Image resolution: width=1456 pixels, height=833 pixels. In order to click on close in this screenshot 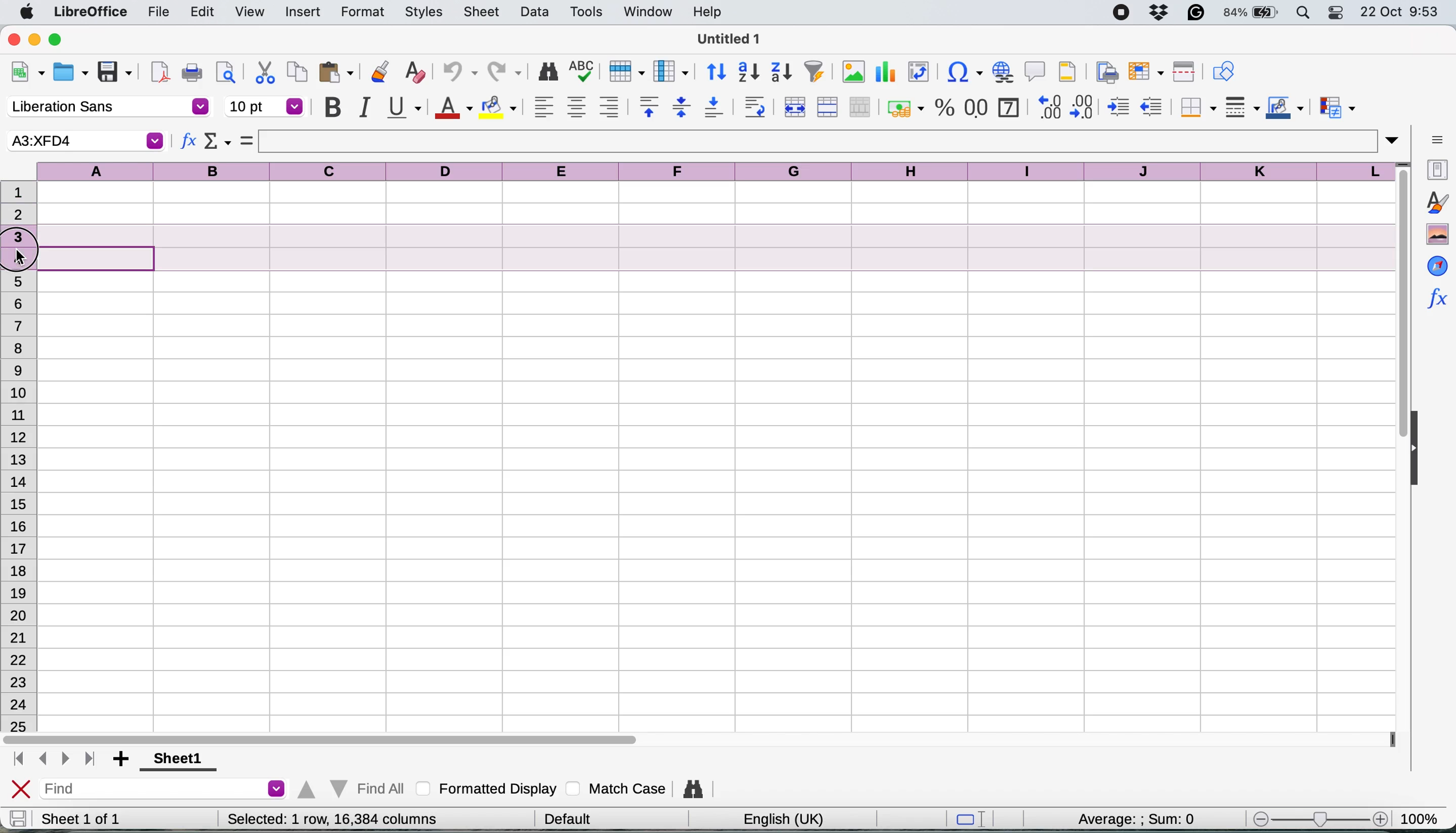, I will do `click(21, 790)`.